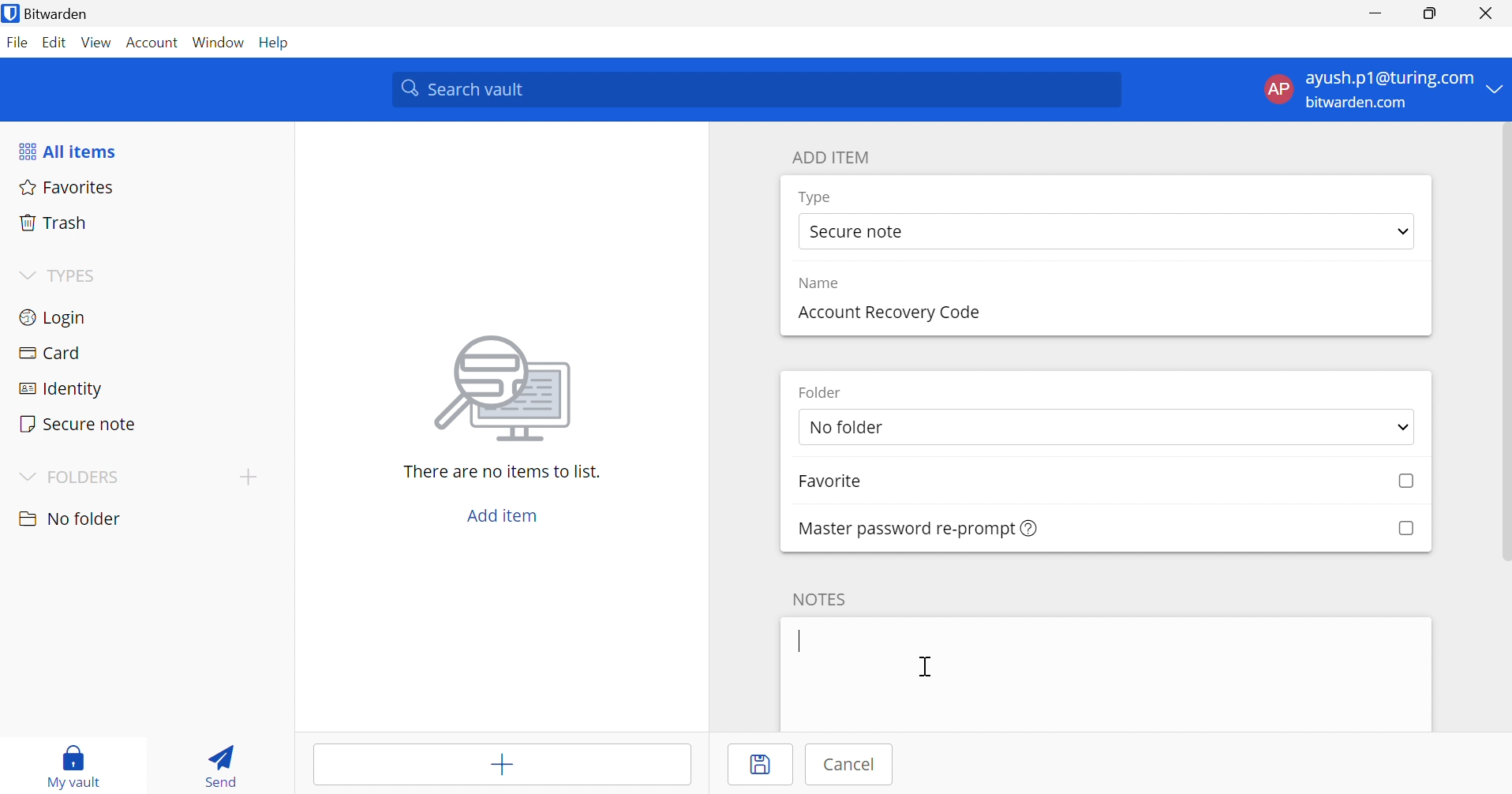 The width and height of the screenshot is (1512, 794). Describe the element at coordinates (96, 42) in the screenshot. I see `View` at that location.